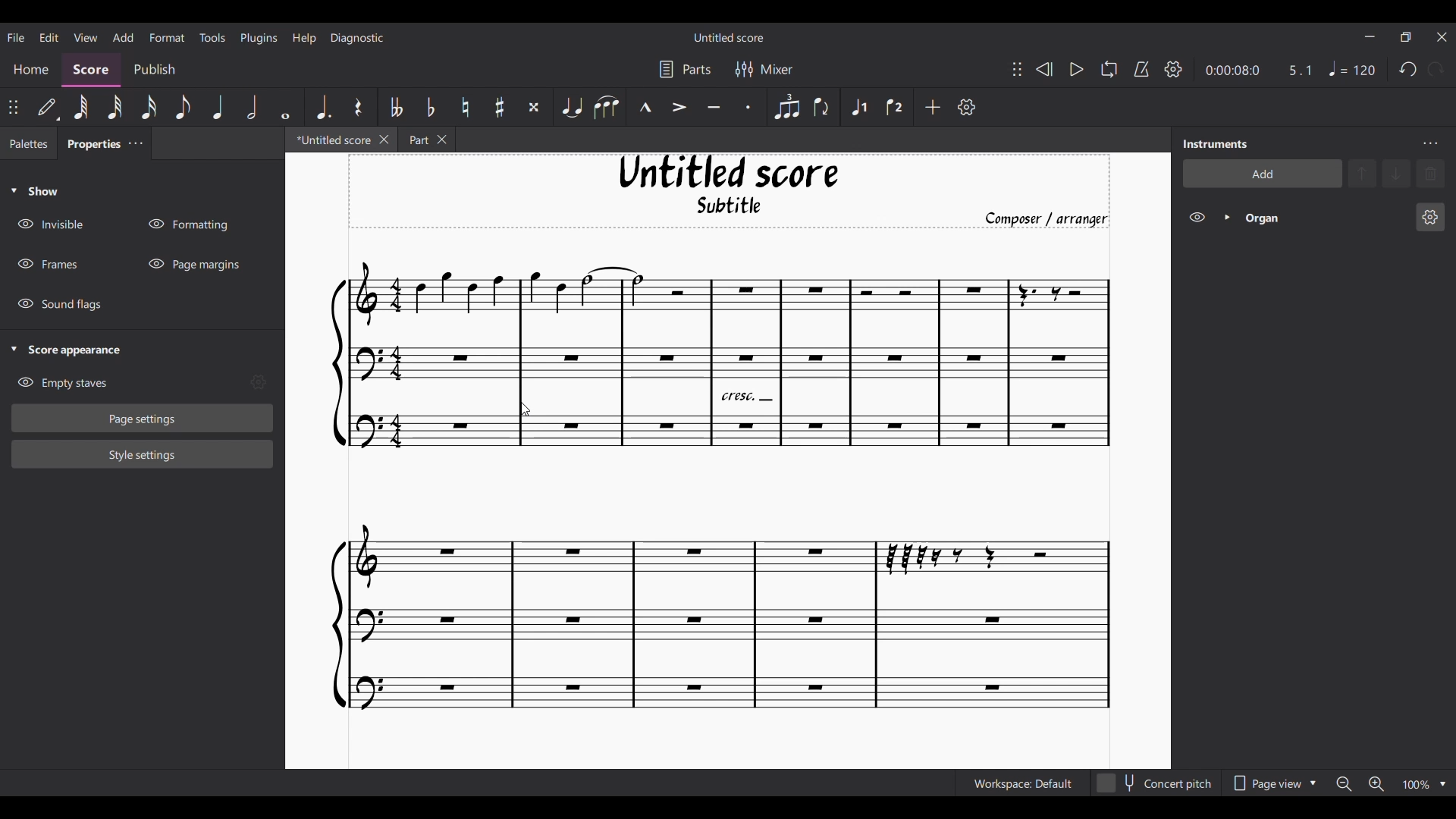 Image resolution: width=1456 pixels, height=819 pixels. Describe the element at coordinates (49, 36) in the screenshot. I see `Edit menu` at that location.